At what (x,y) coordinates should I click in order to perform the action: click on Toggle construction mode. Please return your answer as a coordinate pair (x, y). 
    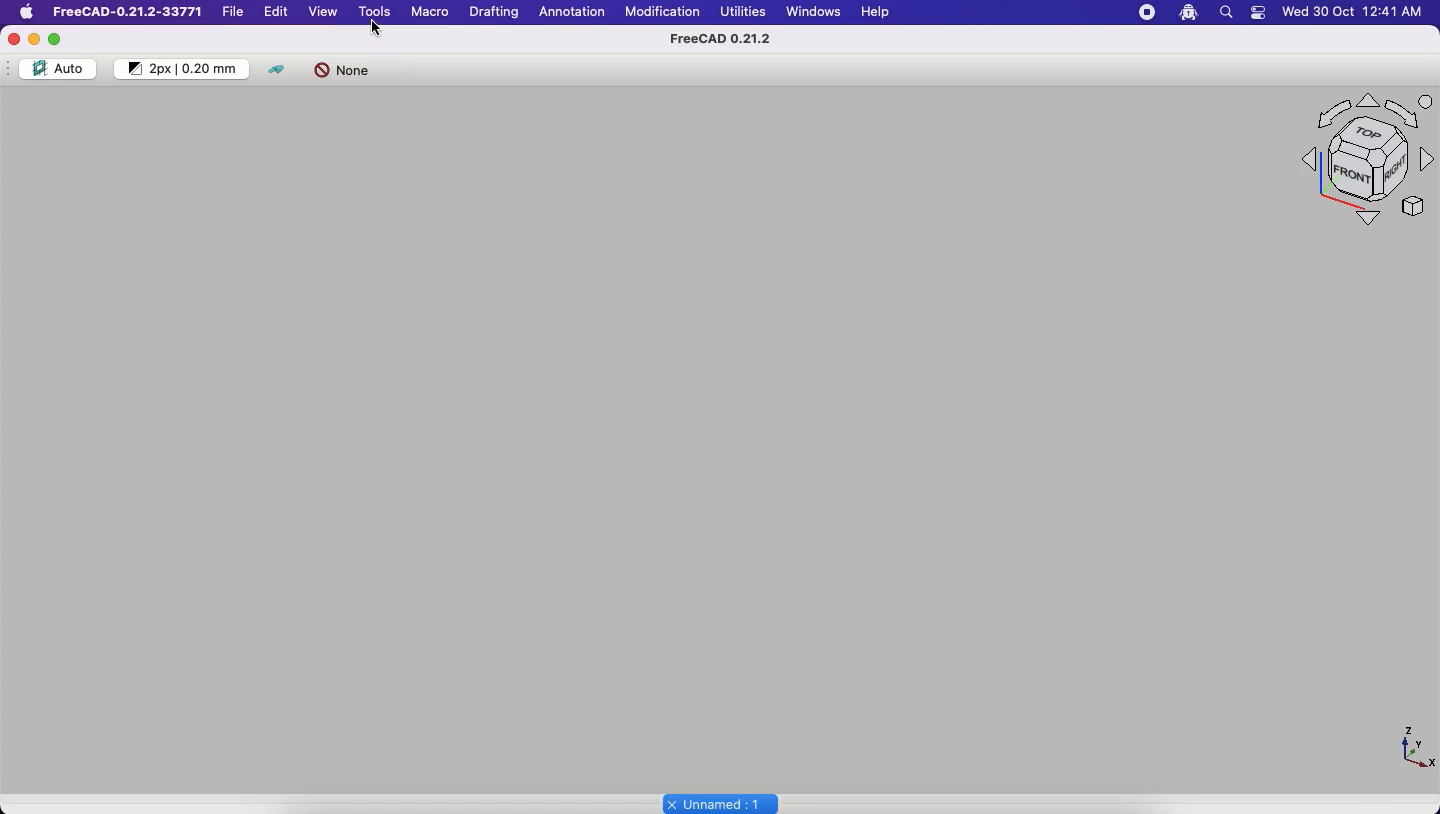
    Looking at the image, I should click on (279, 69).